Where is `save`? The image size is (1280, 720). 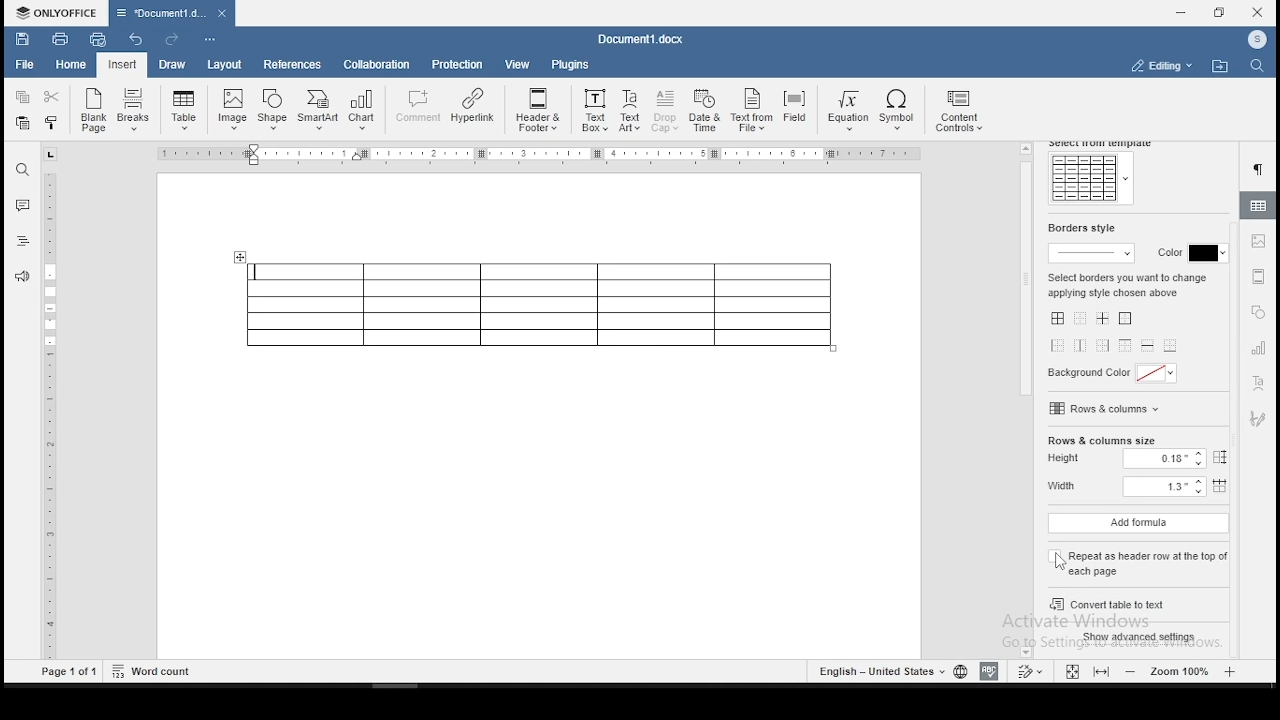
save is located at coordinates (21, 37).